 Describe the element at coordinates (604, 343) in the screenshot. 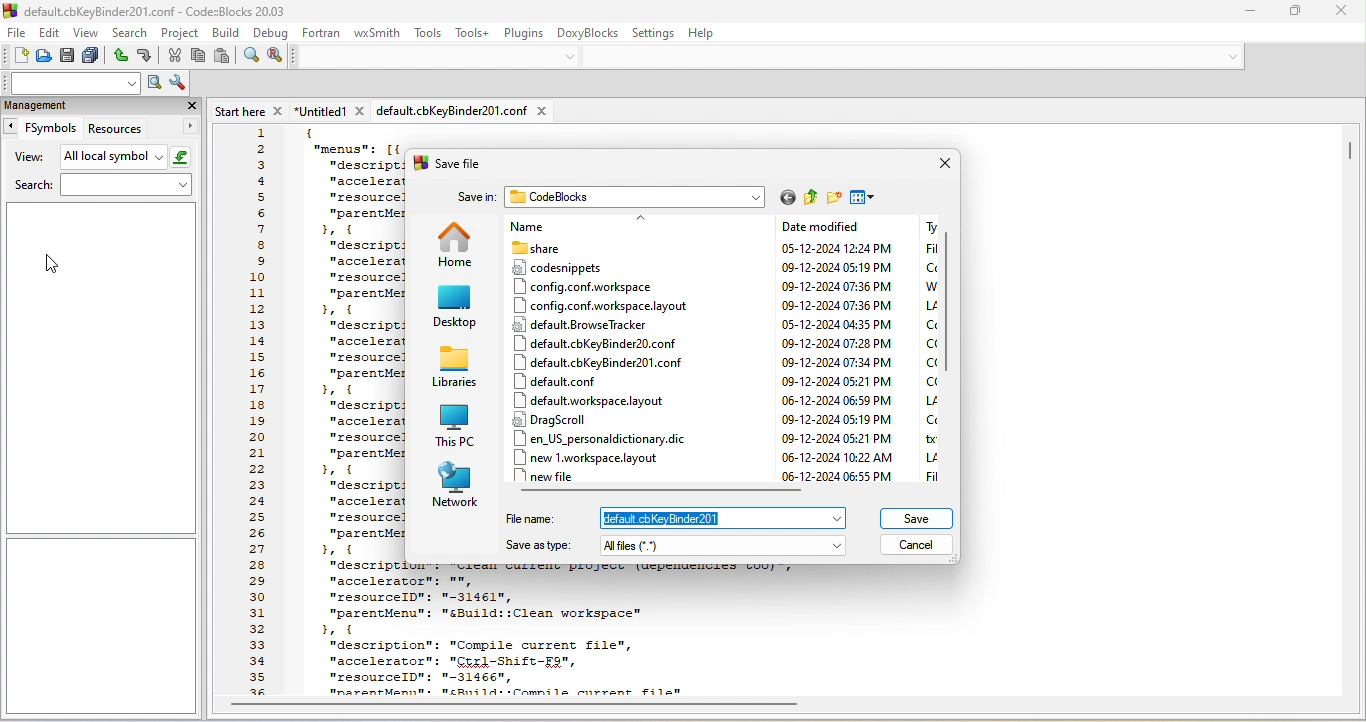

I see `default cbkey binder 20 conf` at that location.